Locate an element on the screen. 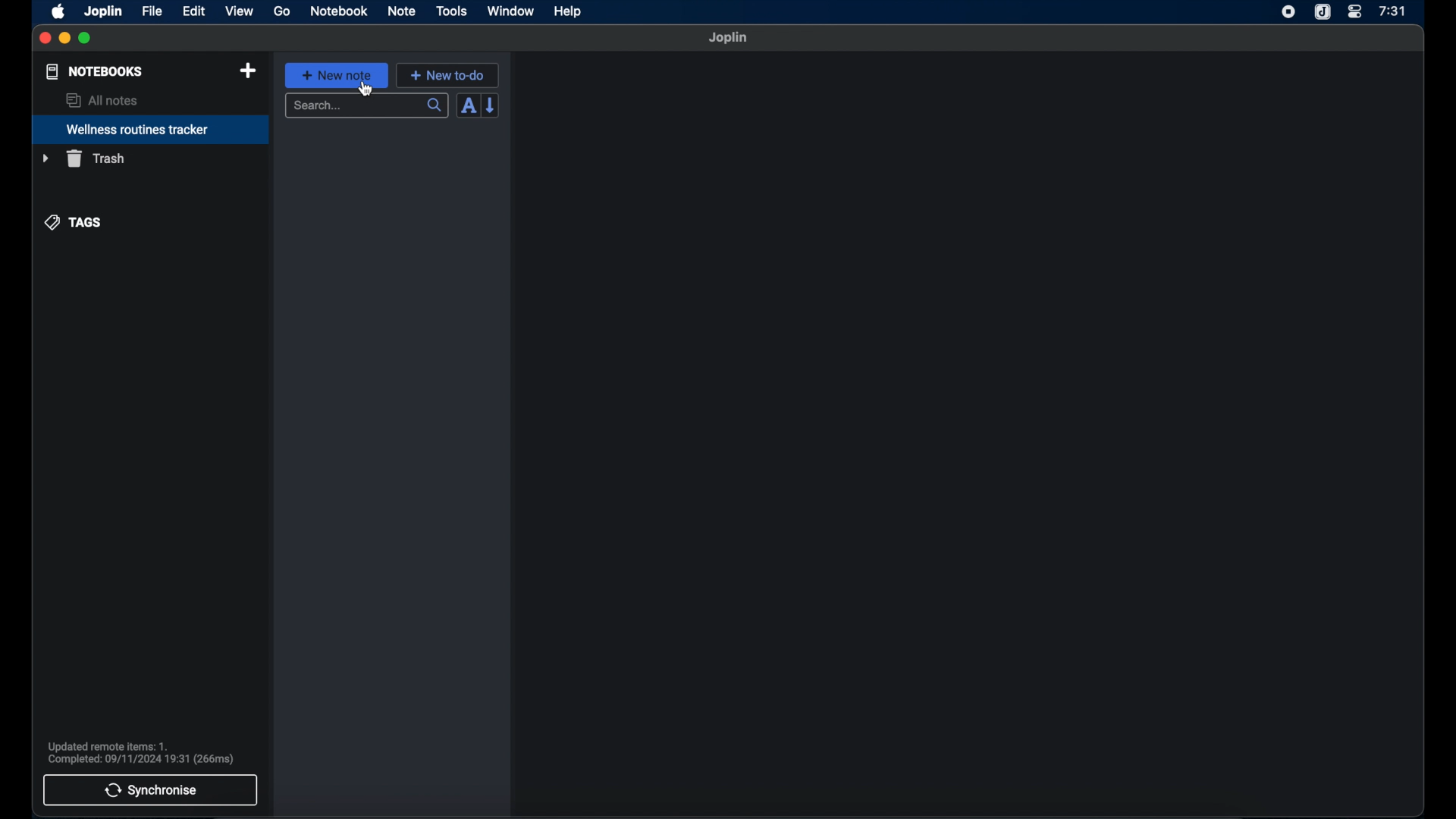 This screenshot has width=1456, height=819. help is located at coordinates (569, 11).